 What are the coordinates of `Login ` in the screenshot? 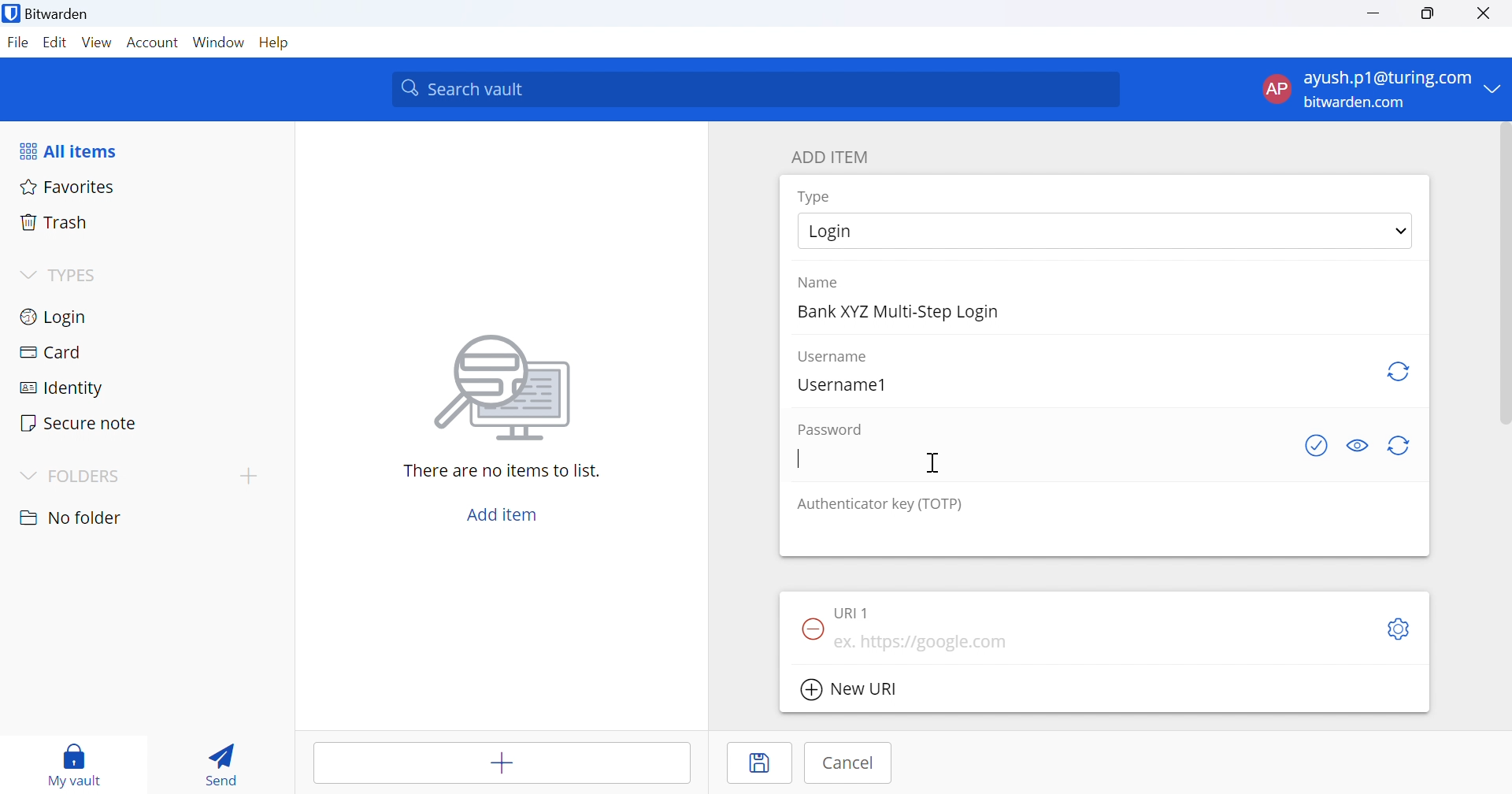 It's located at (851, 231).